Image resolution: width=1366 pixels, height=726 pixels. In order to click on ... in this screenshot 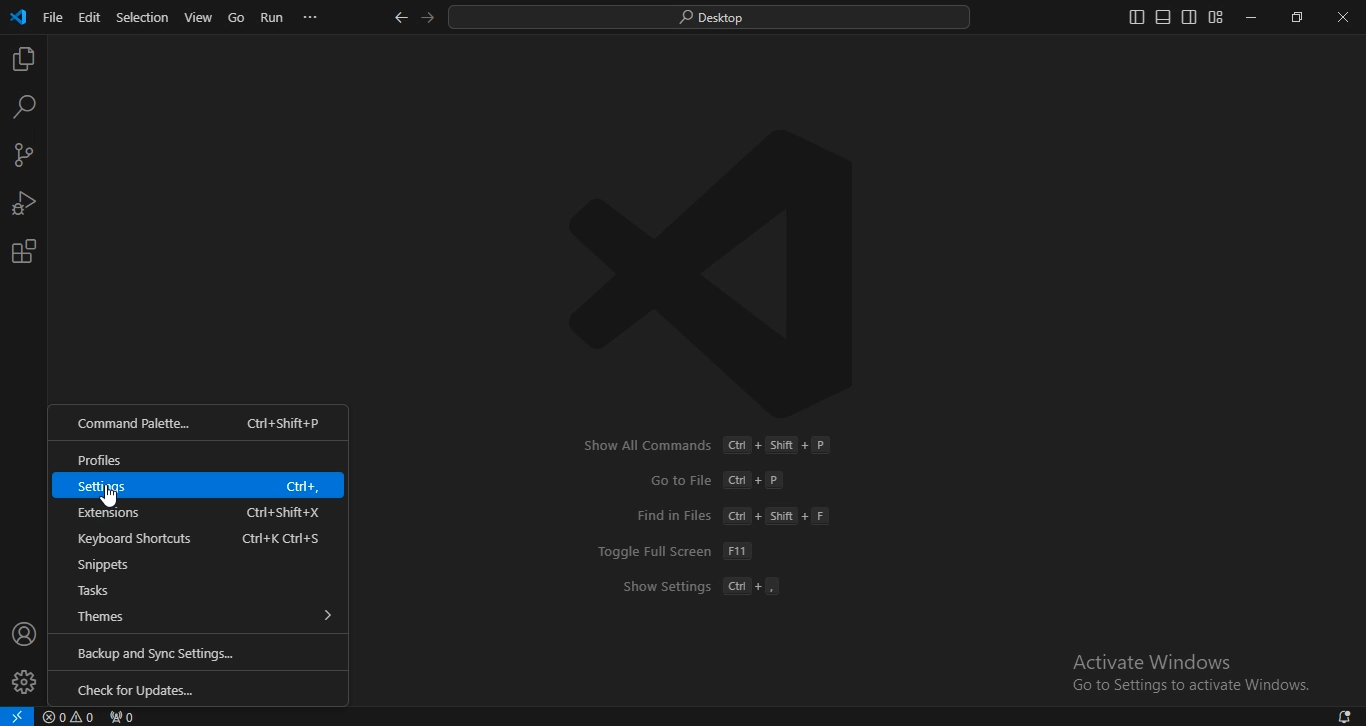, I will do `click(312, 21)`.